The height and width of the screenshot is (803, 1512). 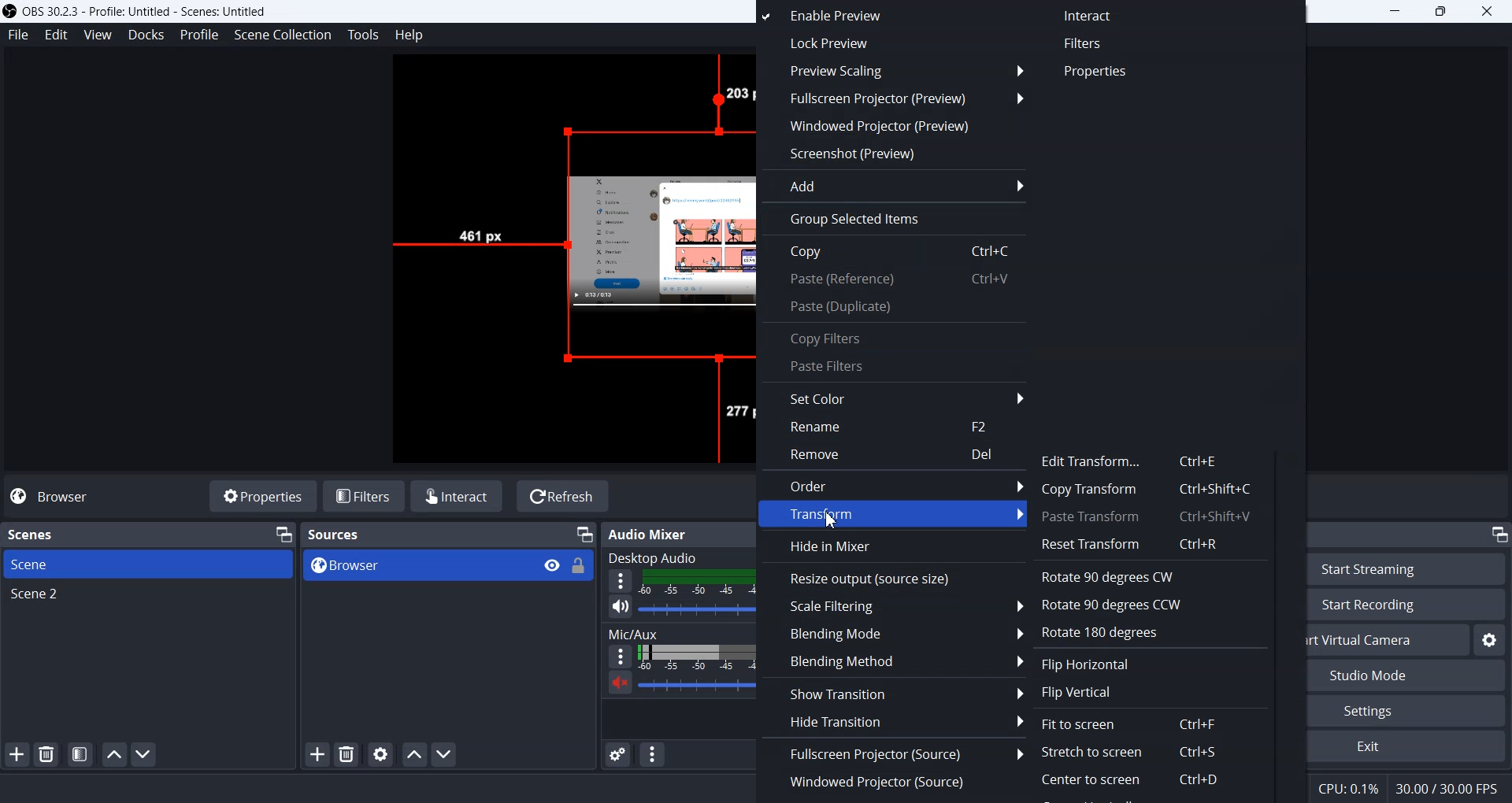 What do you see at coordinates (583, 572) in the screenshot?
I see `Lock` at bounding box center [583, 572].